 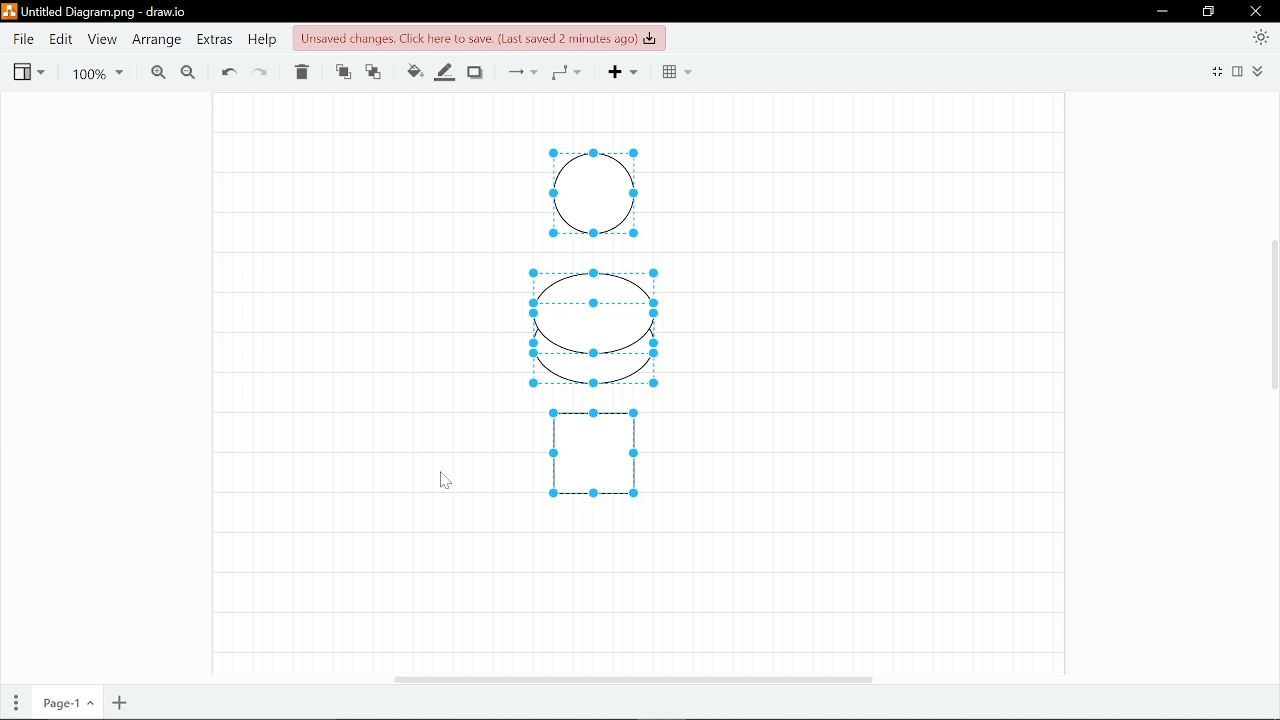 What do you see at coordinates (300, 73) in the screenshot?
I see `Delete` at bounding box center [300, 73].